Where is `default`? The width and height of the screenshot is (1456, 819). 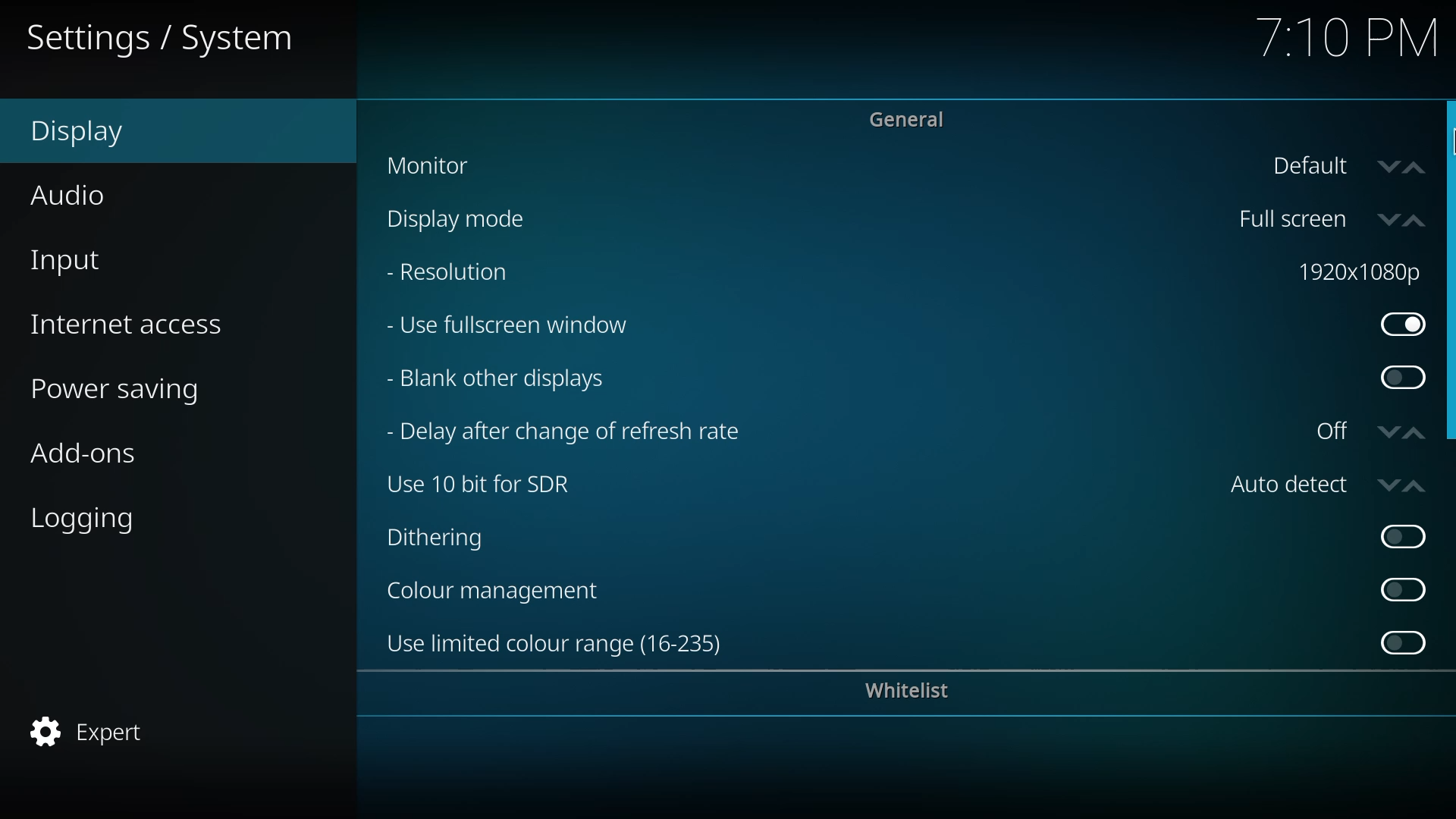 default is located at coordinates (1357, 165).